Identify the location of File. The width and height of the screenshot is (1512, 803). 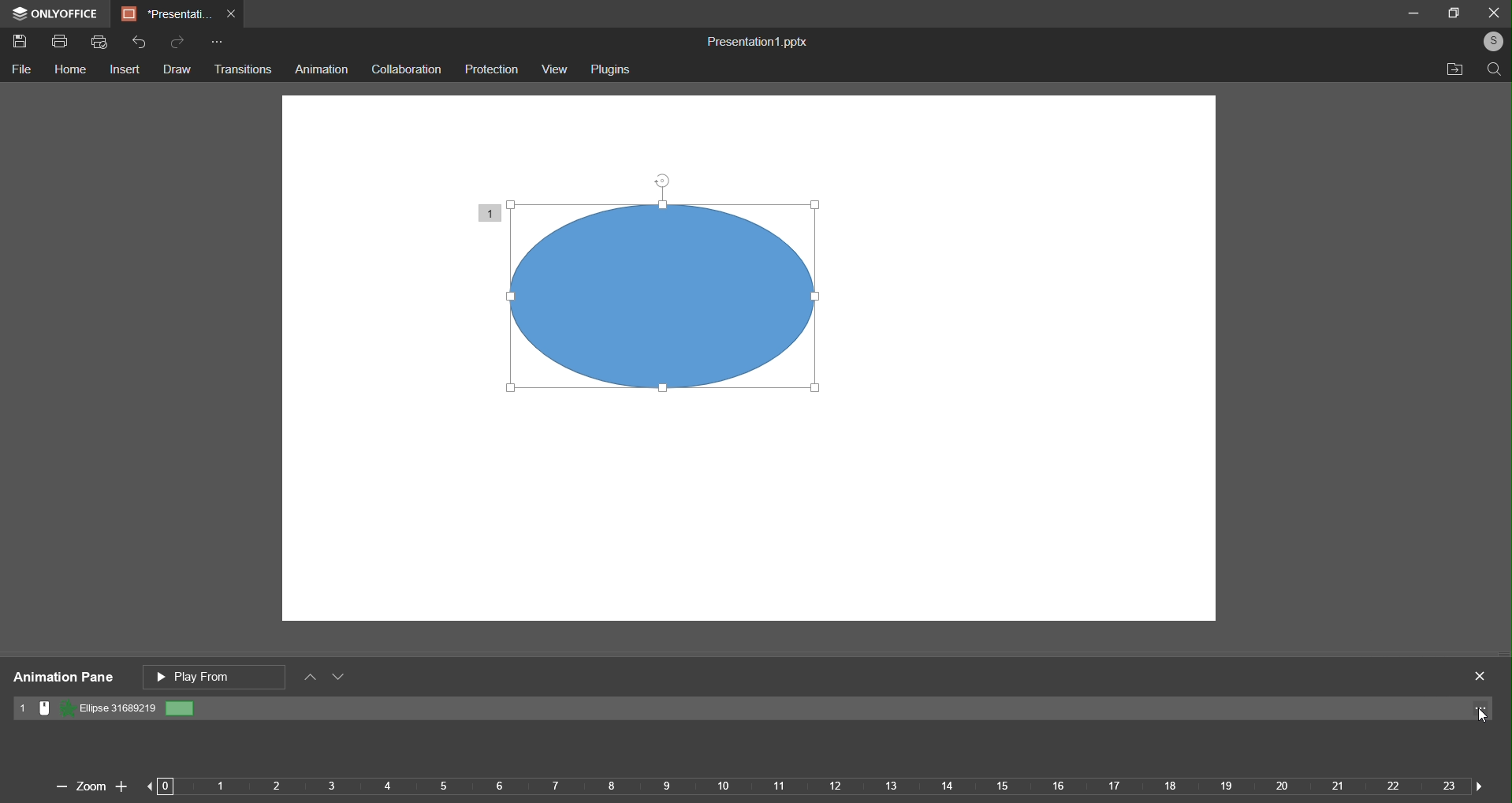
(24, 70).